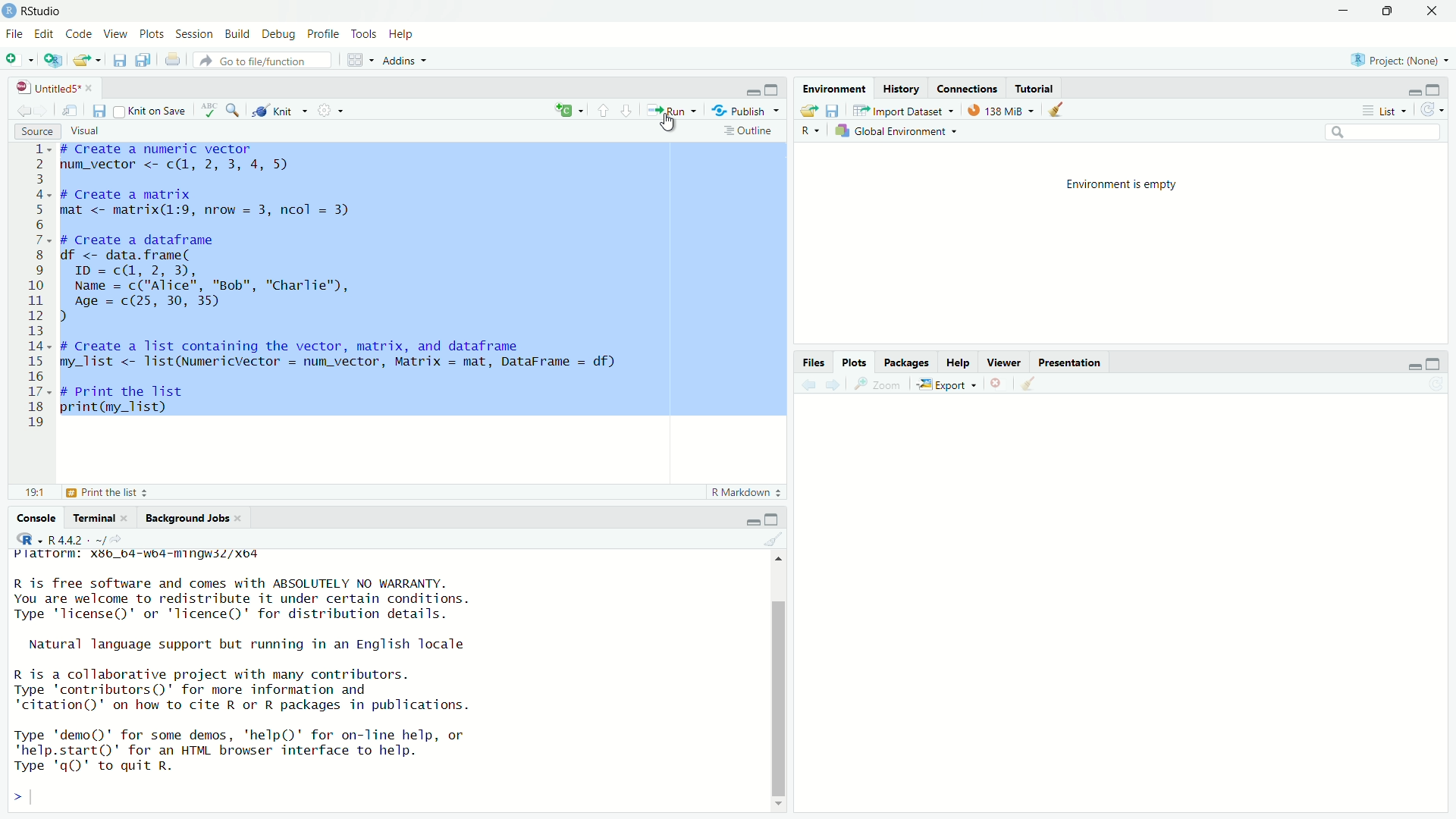 Image resolution: width=1456 pixels, height=819 pixels. What do you see at coordinates (632, 110) in the screenshot?
I see `downward` at bounding box center [632, 110].